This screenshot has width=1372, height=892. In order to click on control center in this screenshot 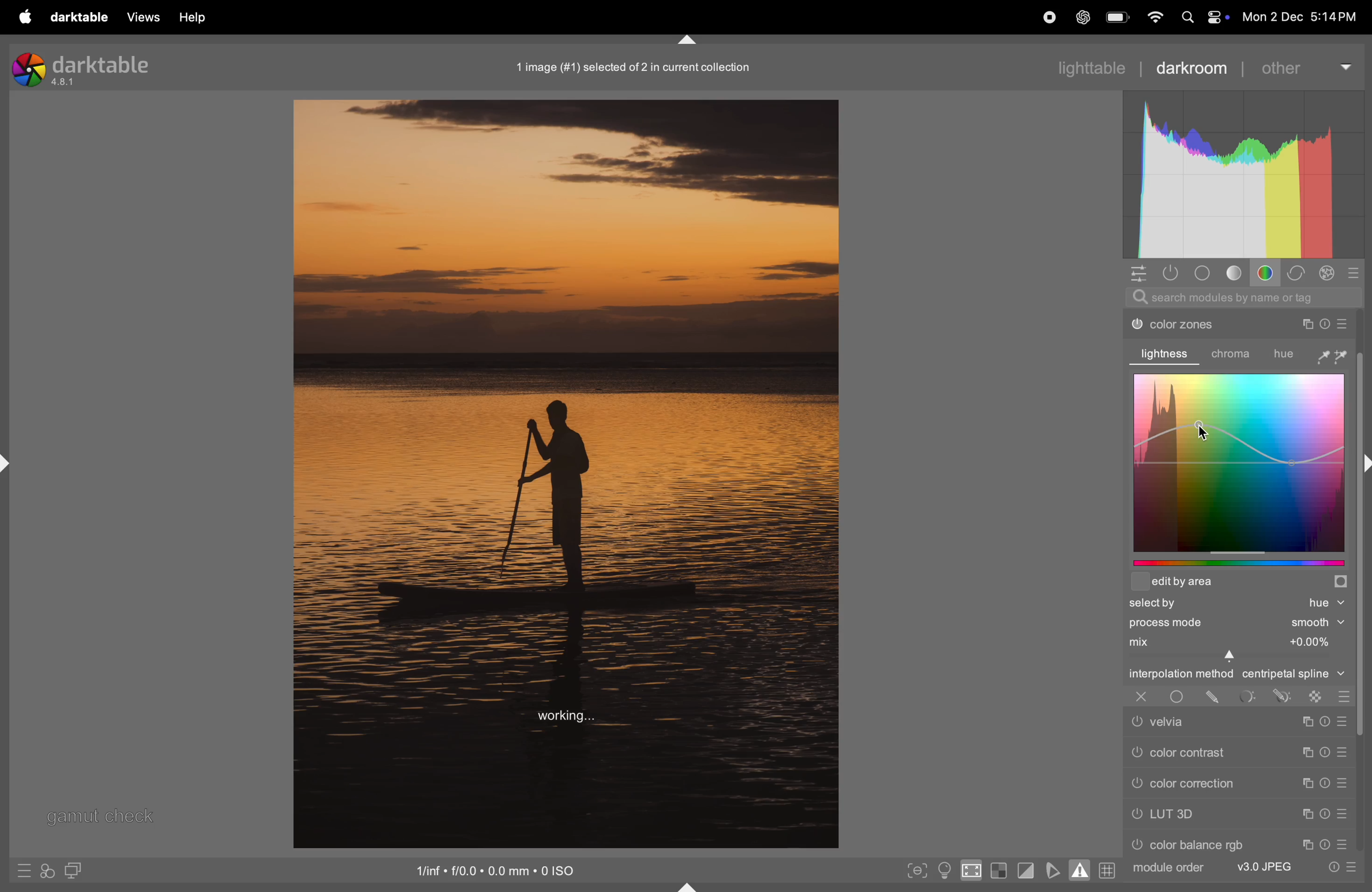, I will do `click(1219, 17)`.